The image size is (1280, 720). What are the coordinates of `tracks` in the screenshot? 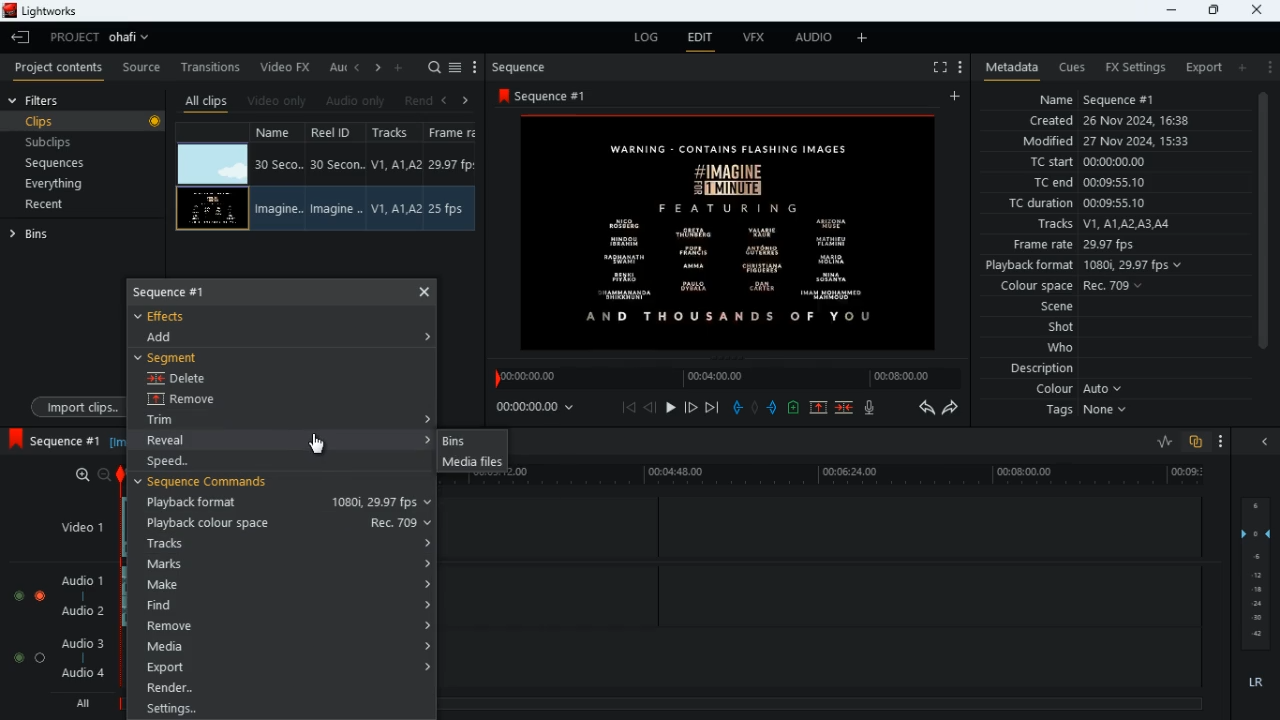 It's located at (394, 134).